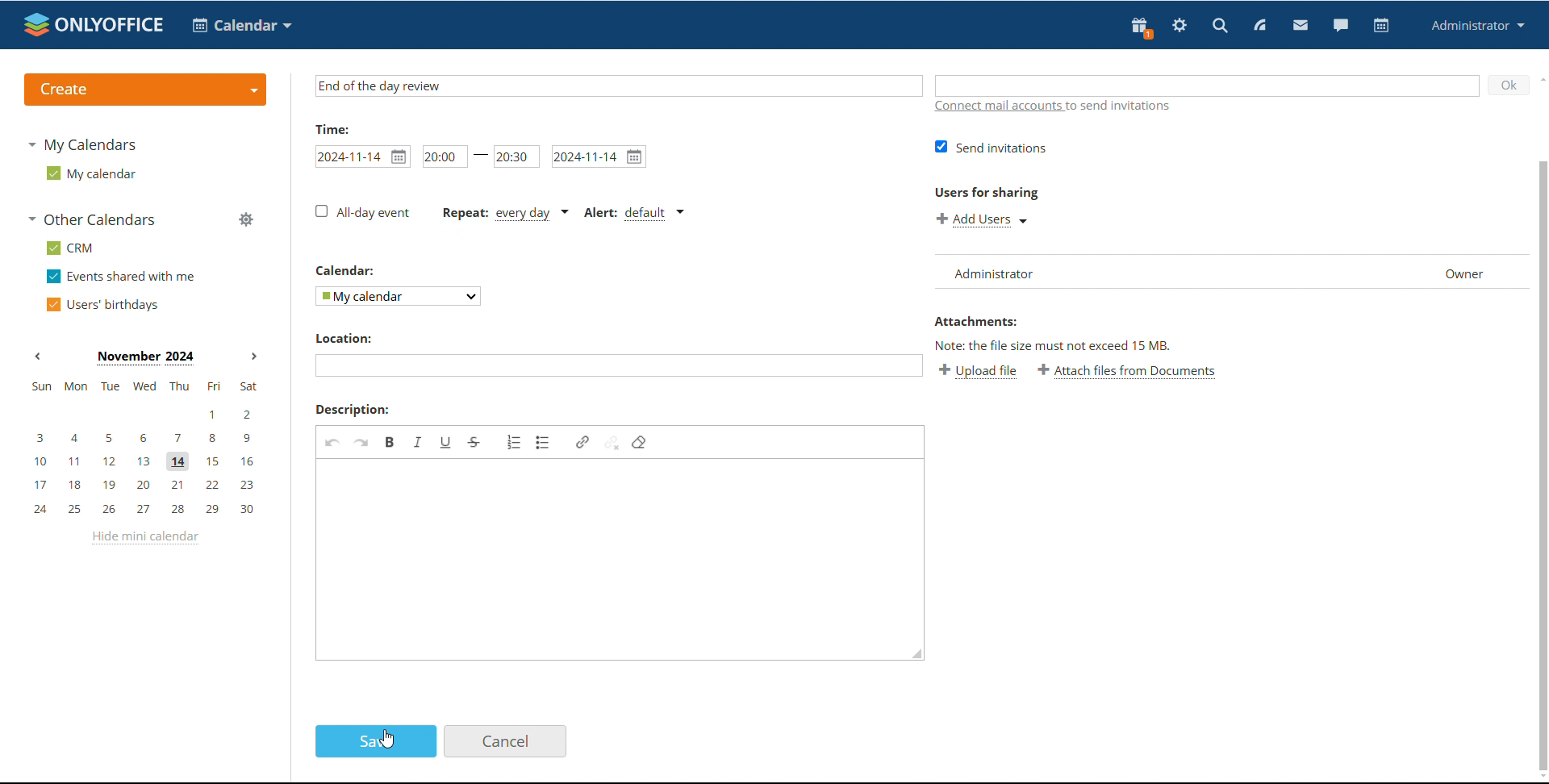 The height and width of the screenshot is (784, 1549). What do you see at coordinates (1171, 270) in the screenshot?
I see `List of users` at bounding box center [1171, 270].